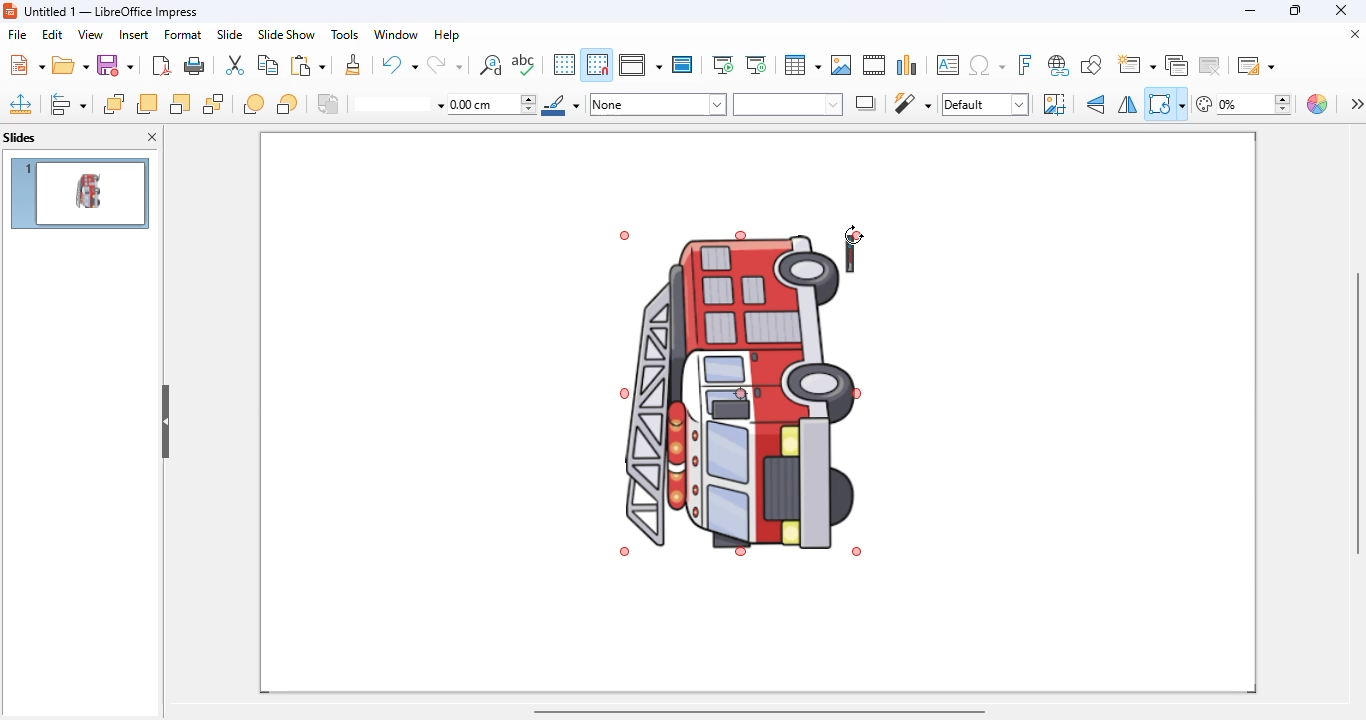 This screenshot has width=1366, height=720. I want to click on send to back, so click(214, 104).